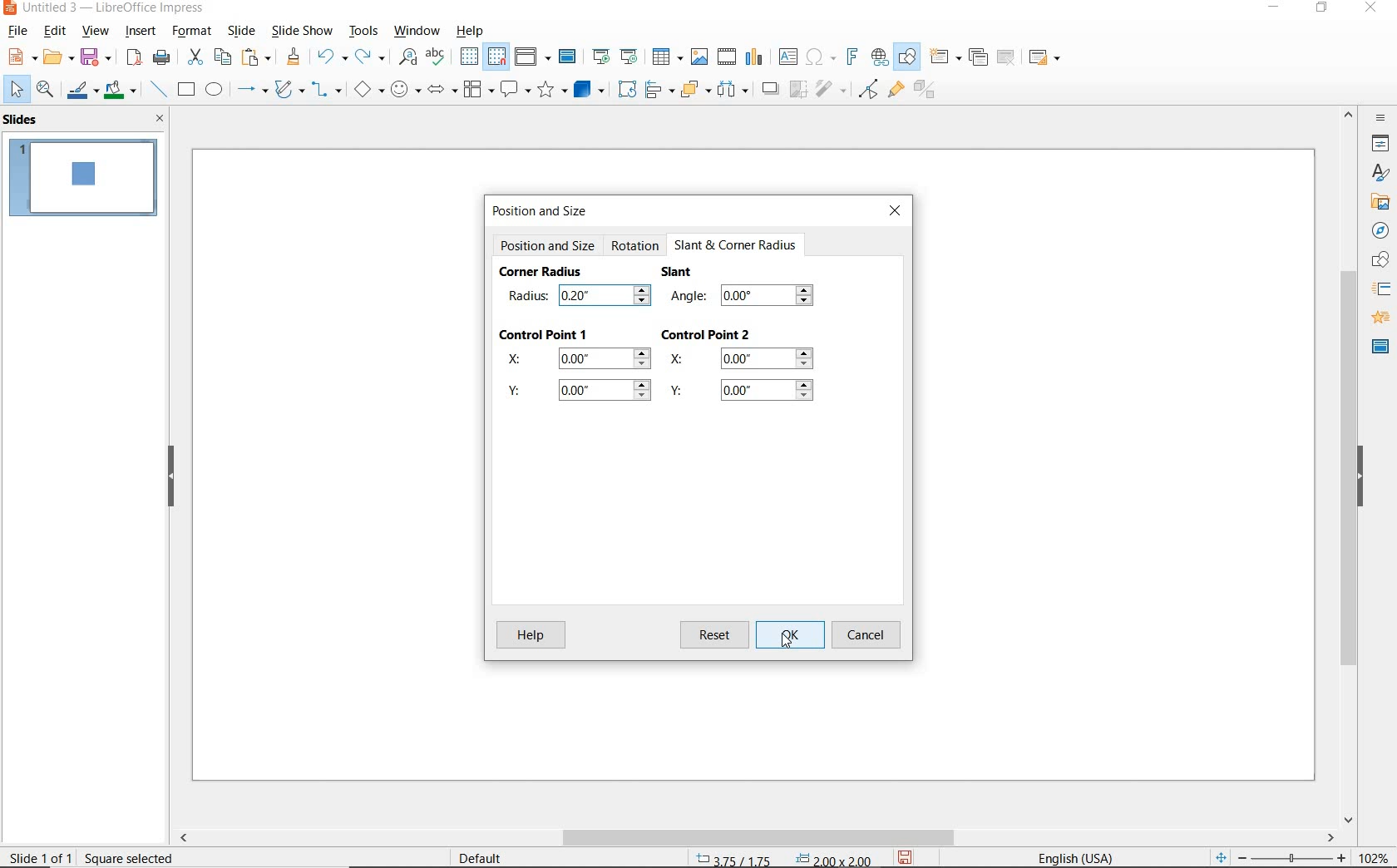  I want to click on cut, so click(193, 57).